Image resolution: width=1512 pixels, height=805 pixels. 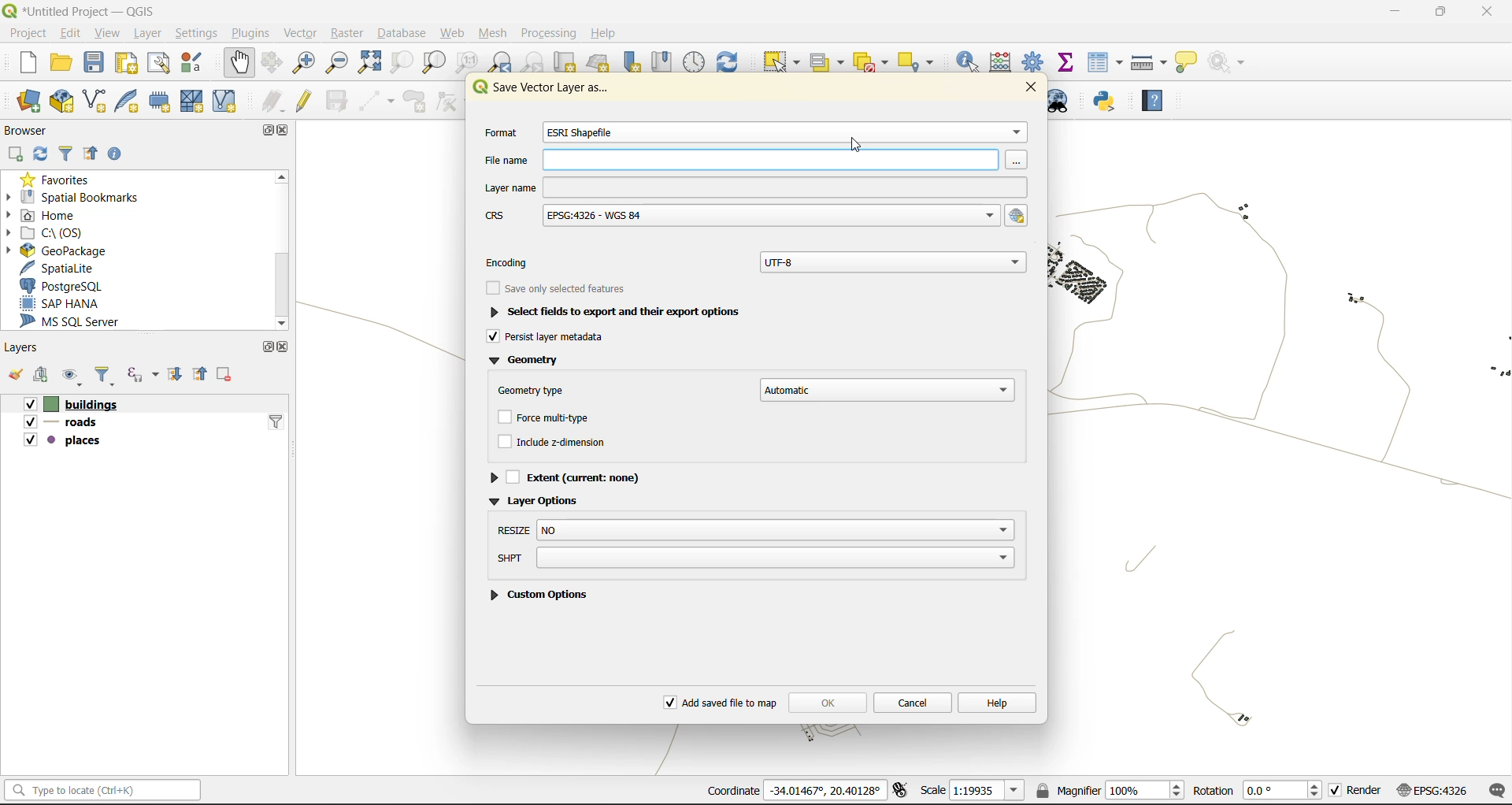 I want to click on identify features, so click(x=972, y=62).